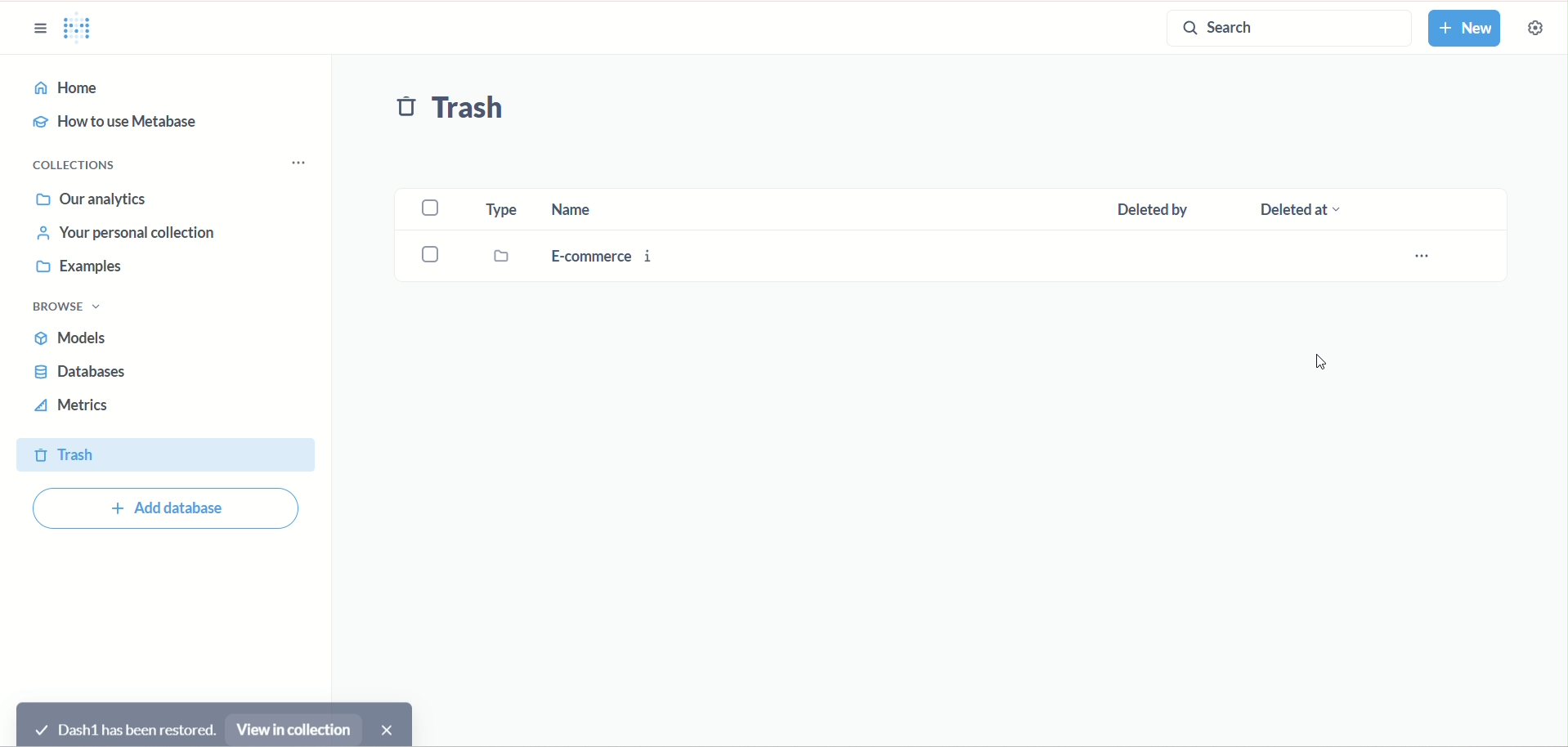  Describe the element at coordinates (78, 406) in the screenshot. I see `metrics` at that location.